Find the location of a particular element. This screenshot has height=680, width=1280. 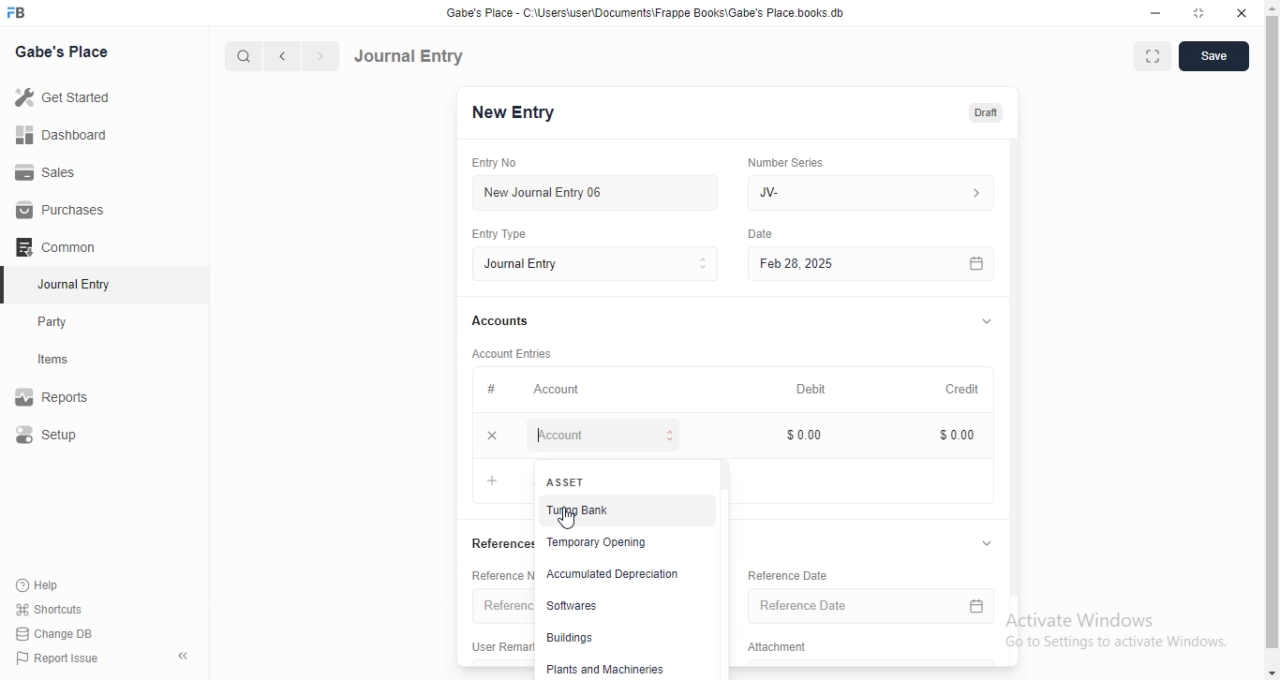

Reference Date is located at coordinates (856, 608).